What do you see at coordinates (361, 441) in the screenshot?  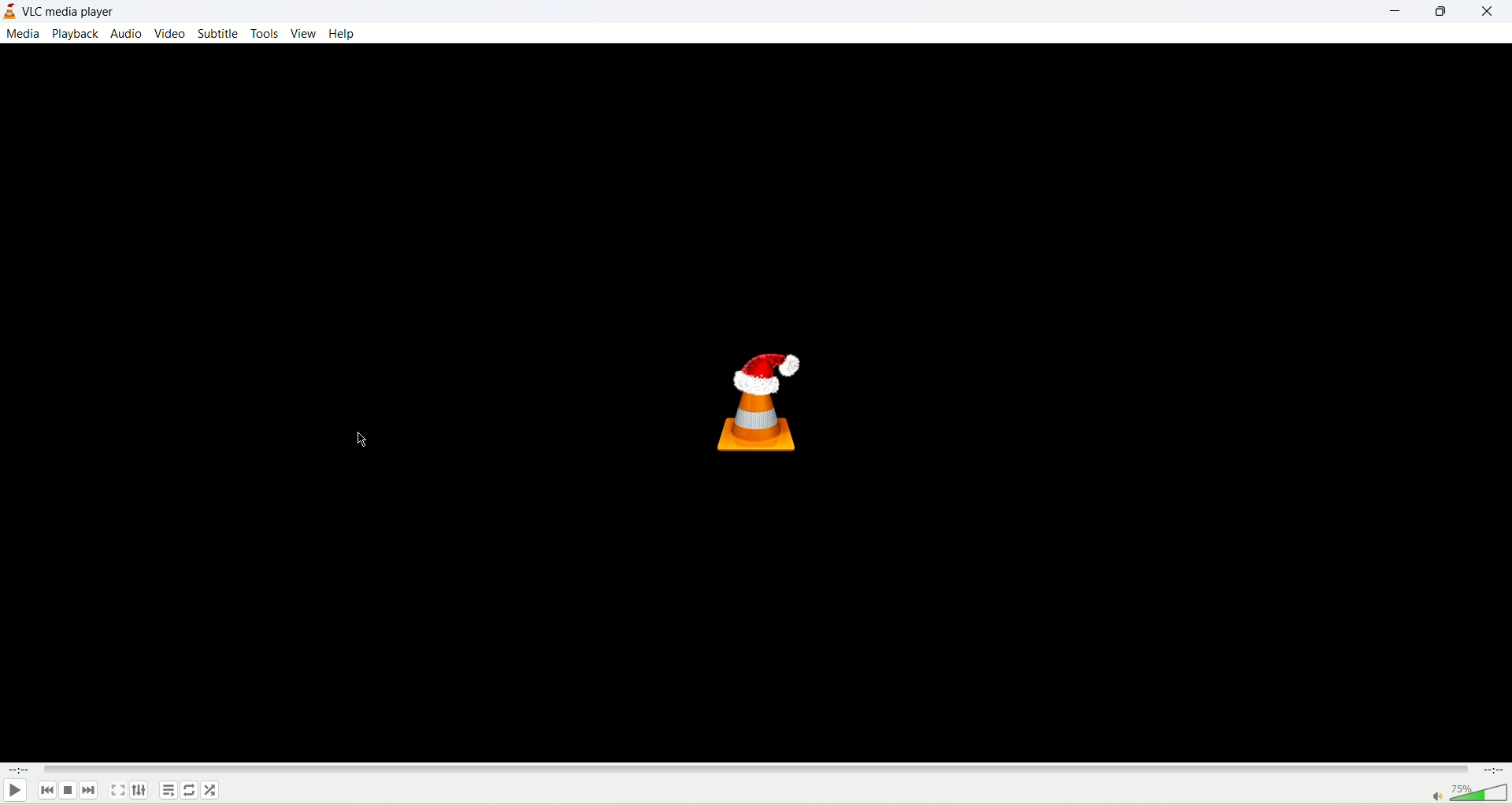 I see `cursor` at bounding box center [361, 441].